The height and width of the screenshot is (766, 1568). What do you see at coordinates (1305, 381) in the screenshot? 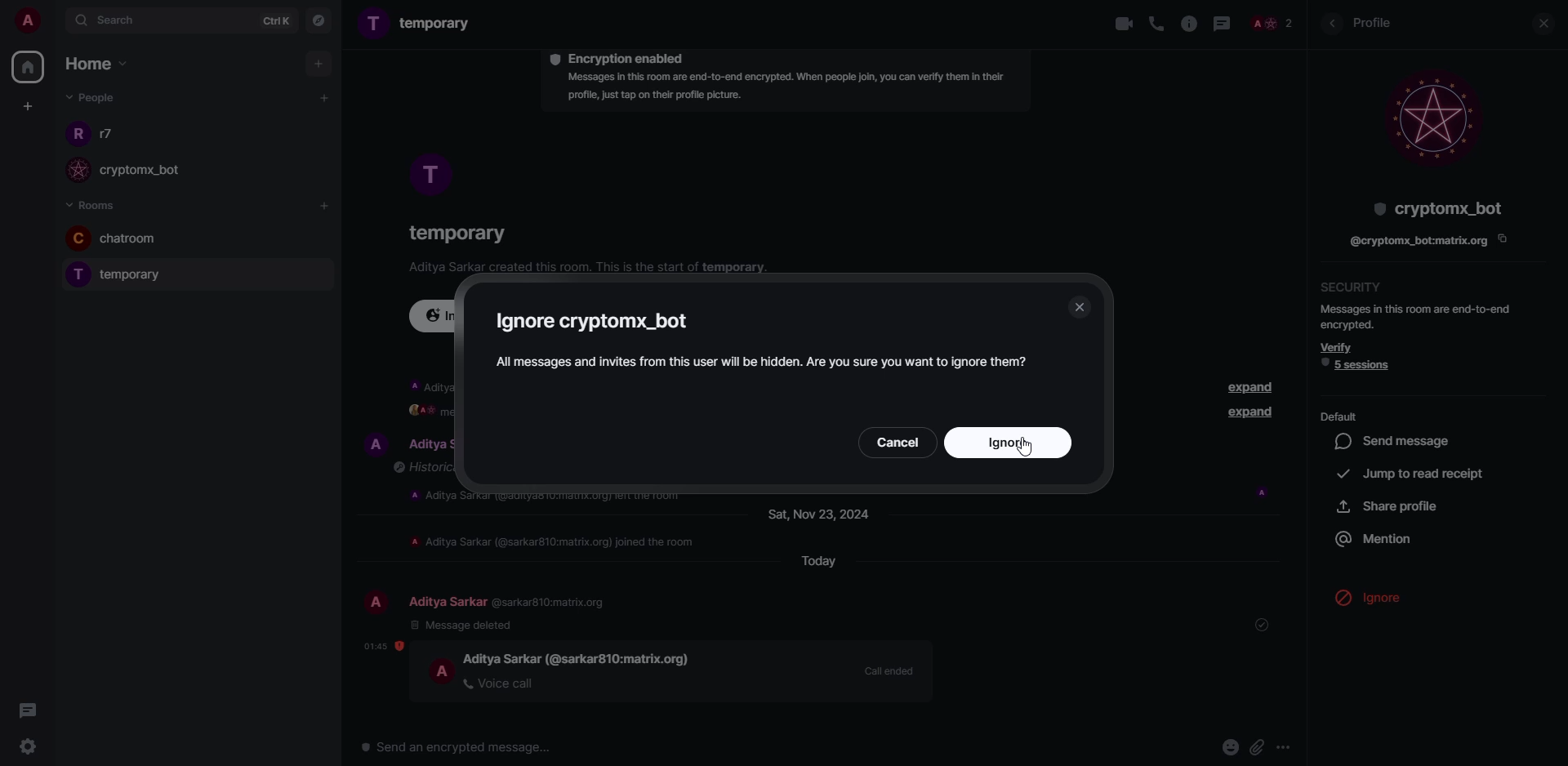
I see `scrollbar` at bounding box center [1305, 381].